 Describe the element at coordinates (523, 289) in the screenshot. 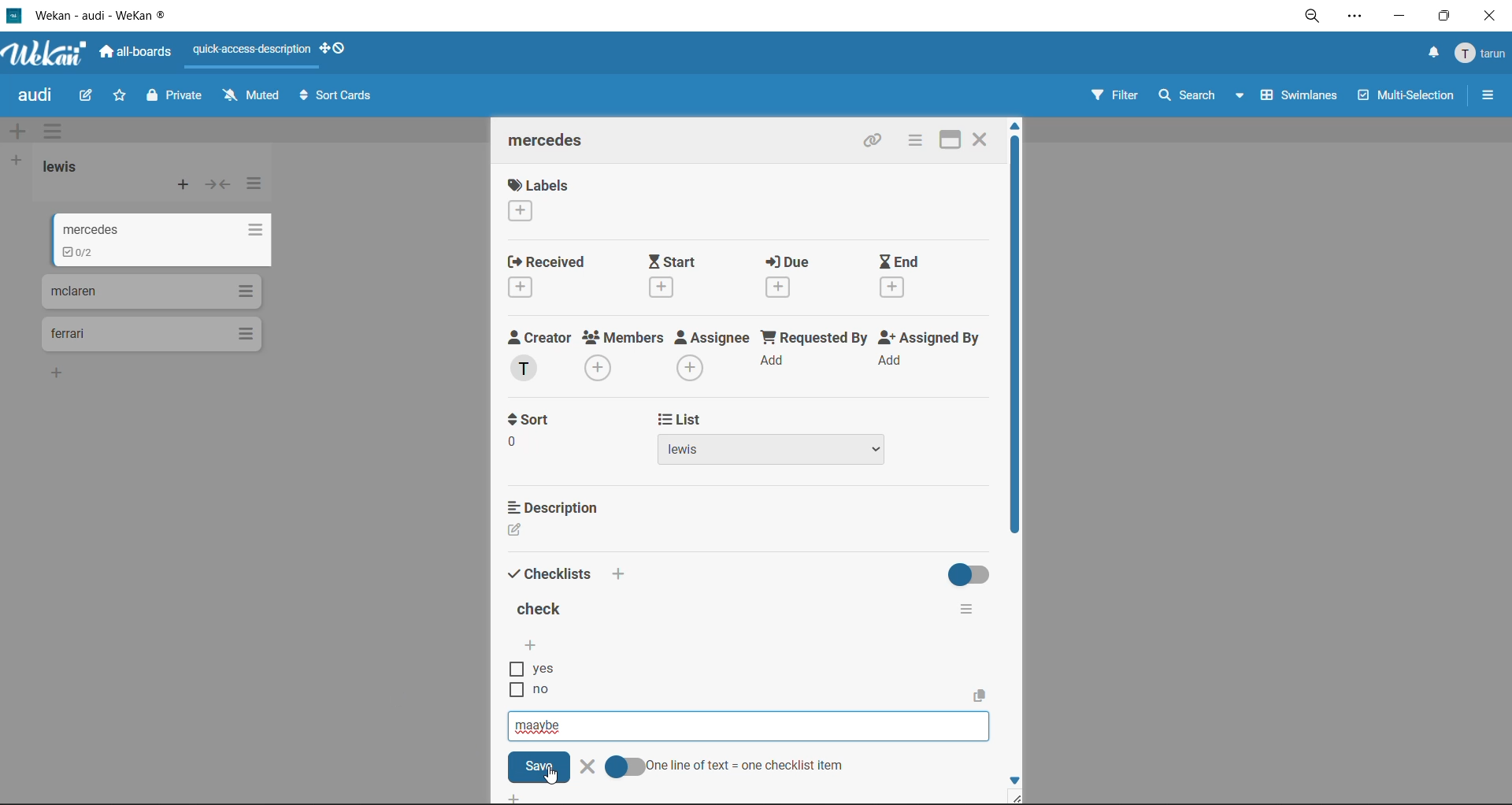

I see `Add Recieved` at that location.